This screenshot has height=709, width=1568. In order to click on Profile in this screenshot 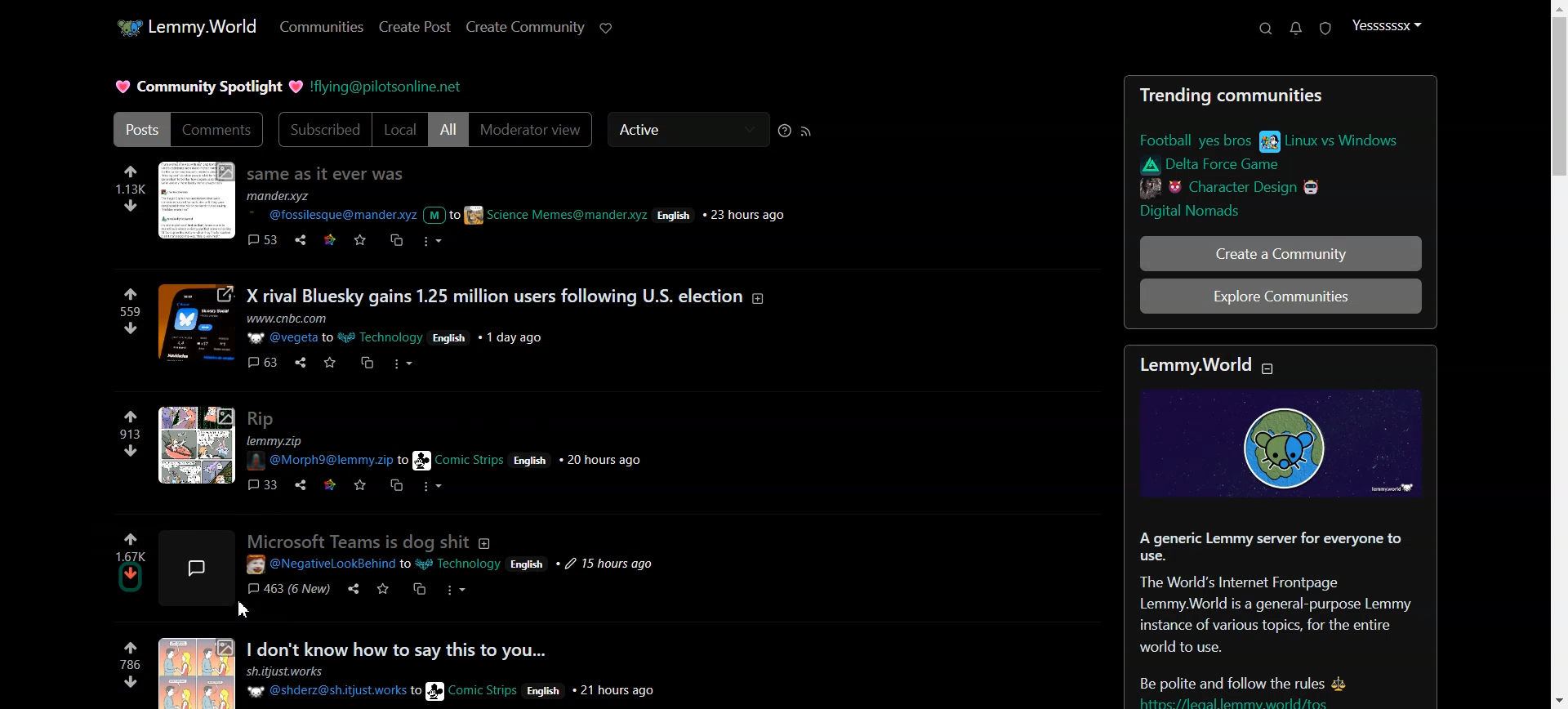, I will do `click(1388, 25)`.